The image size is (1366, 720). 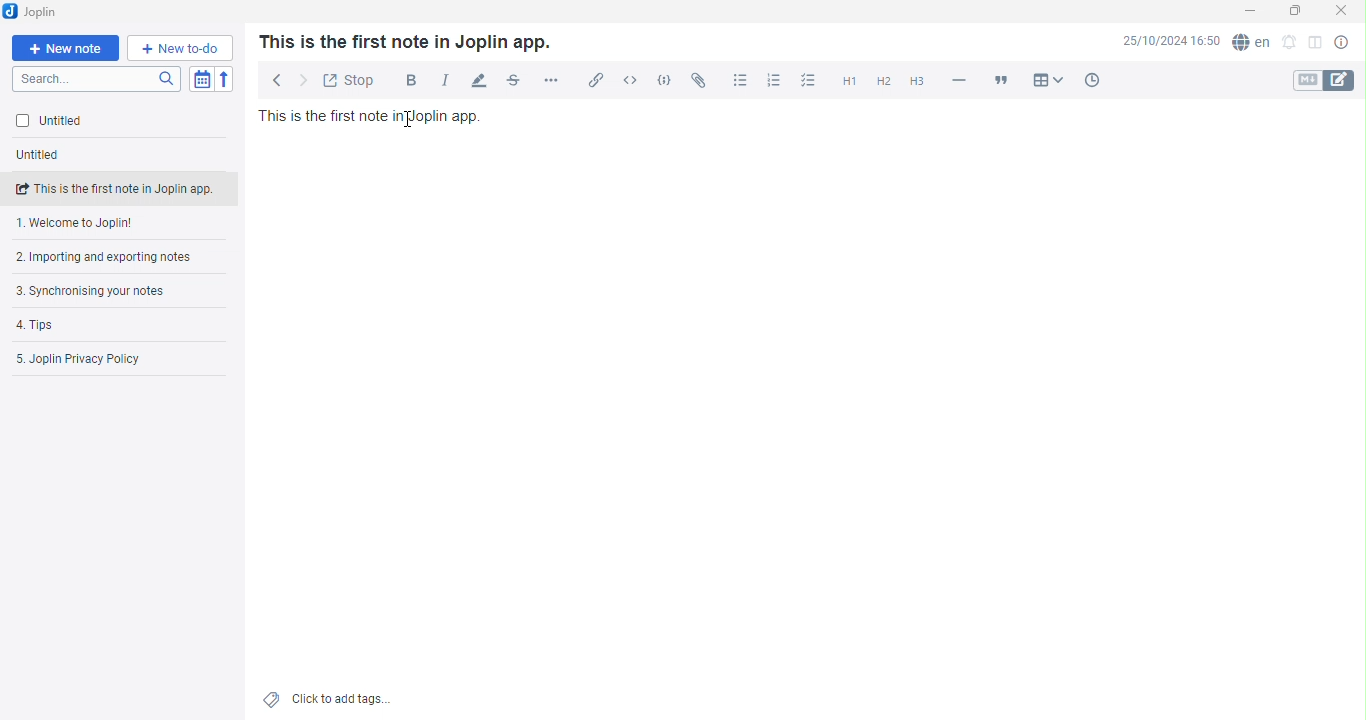 What do you see at coordinates (109, 359) in the screenshot?
I see `Joplin privacy policy` at bounding box center [109, 359].